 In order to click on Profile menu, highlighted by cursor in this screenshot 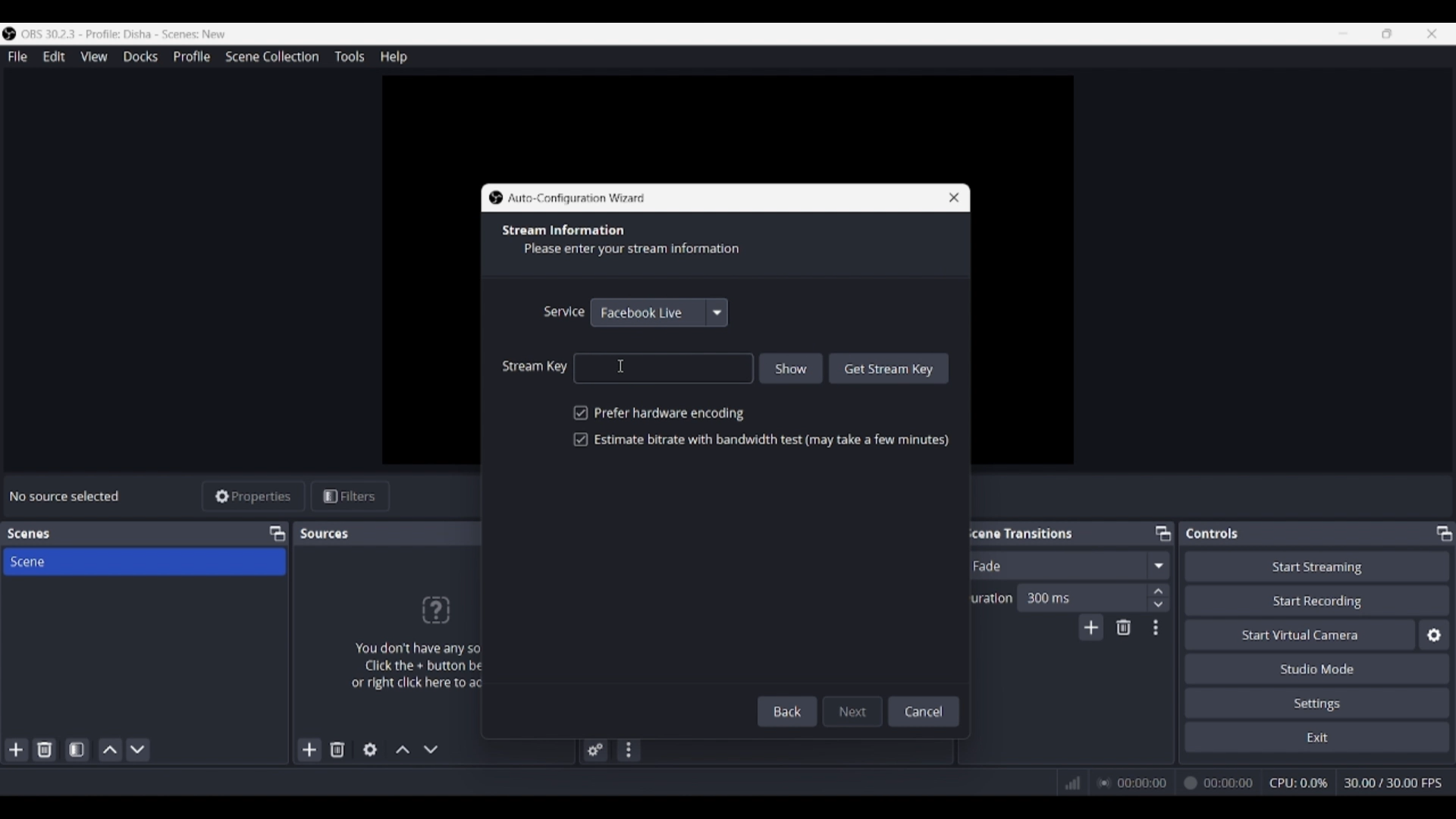, I will do `click(192, 57)`.